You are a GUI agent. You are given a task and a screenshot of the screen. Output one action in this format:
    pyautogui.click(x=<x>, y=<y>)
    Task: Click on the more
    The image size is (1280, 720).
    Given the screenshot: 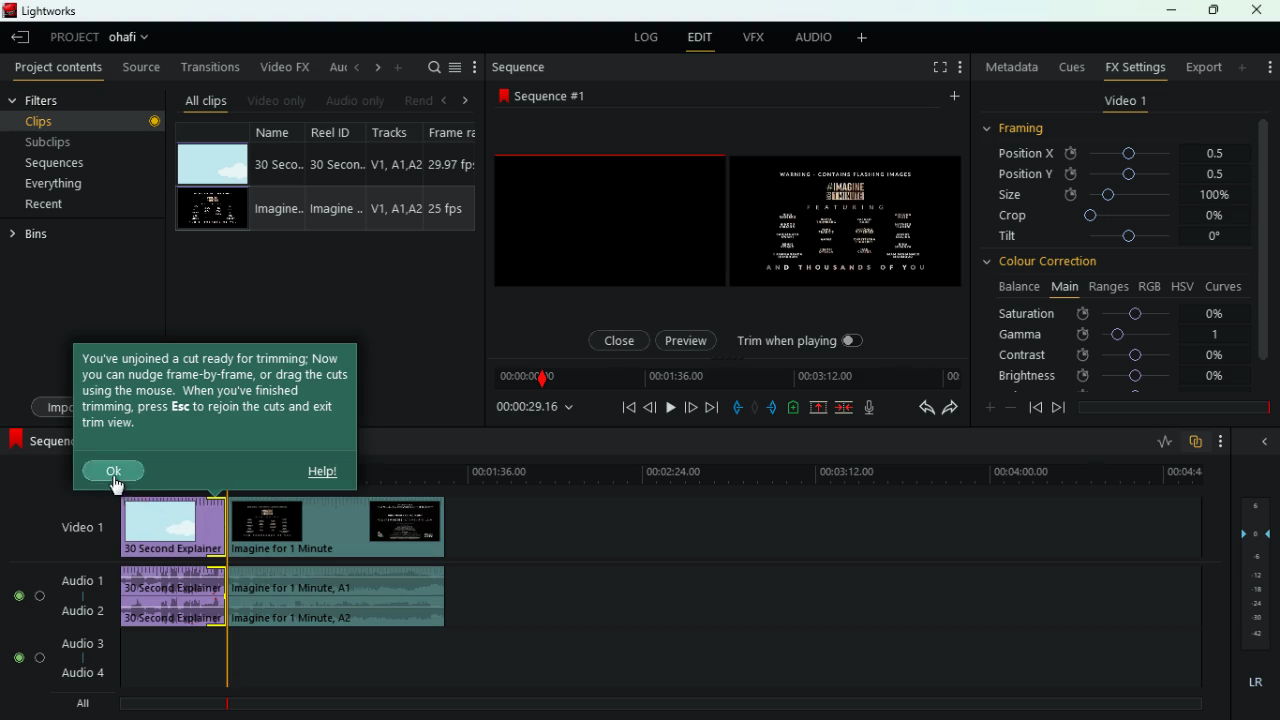 What is the action you would take?
    pyautogui.click(x=1226, y=441)
    